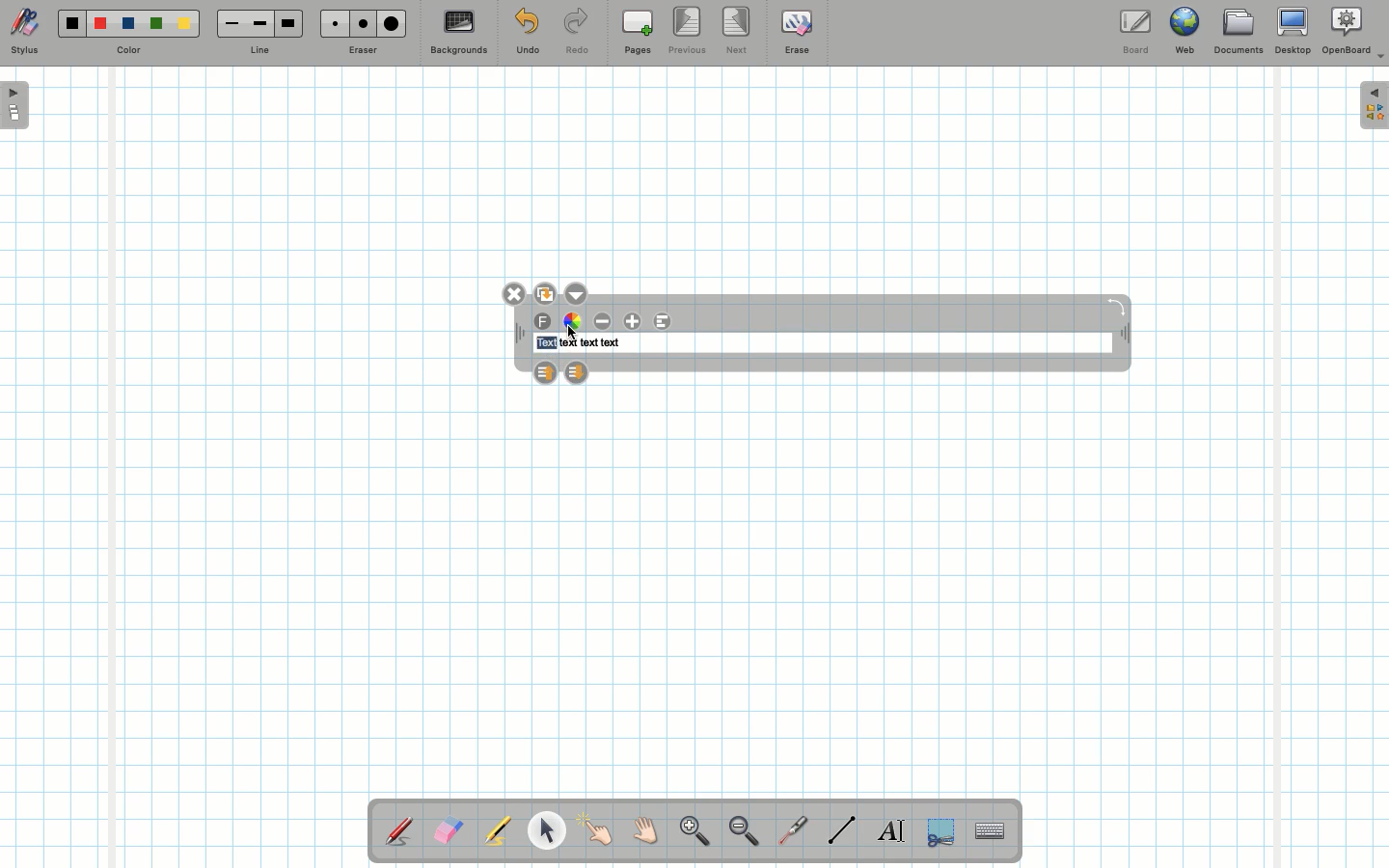  What do you see at coordinates (129, 24) in the screenshot?
I see `Blue` at bounding box center [129, 24].